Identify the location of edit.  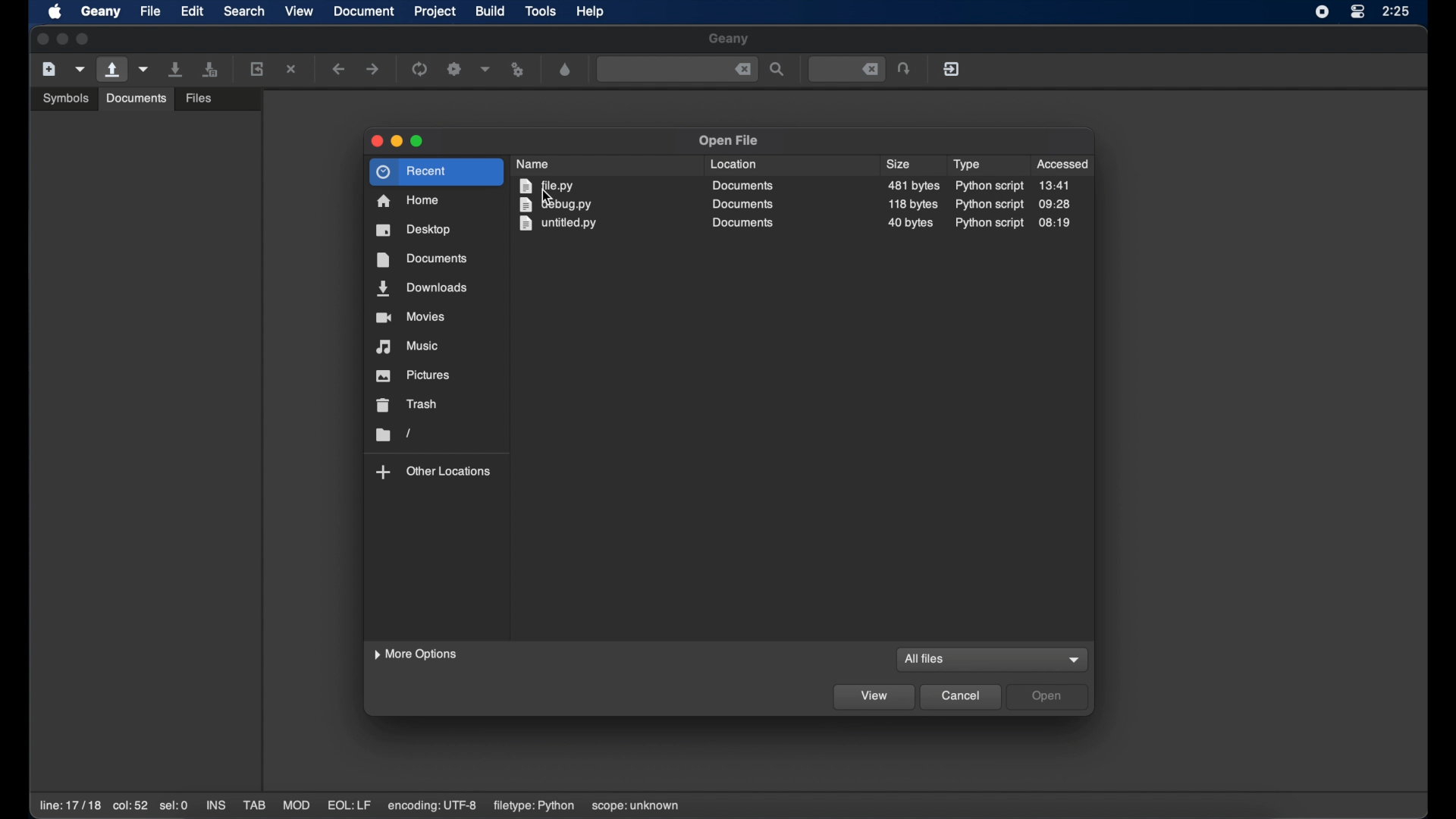
(193, 11).